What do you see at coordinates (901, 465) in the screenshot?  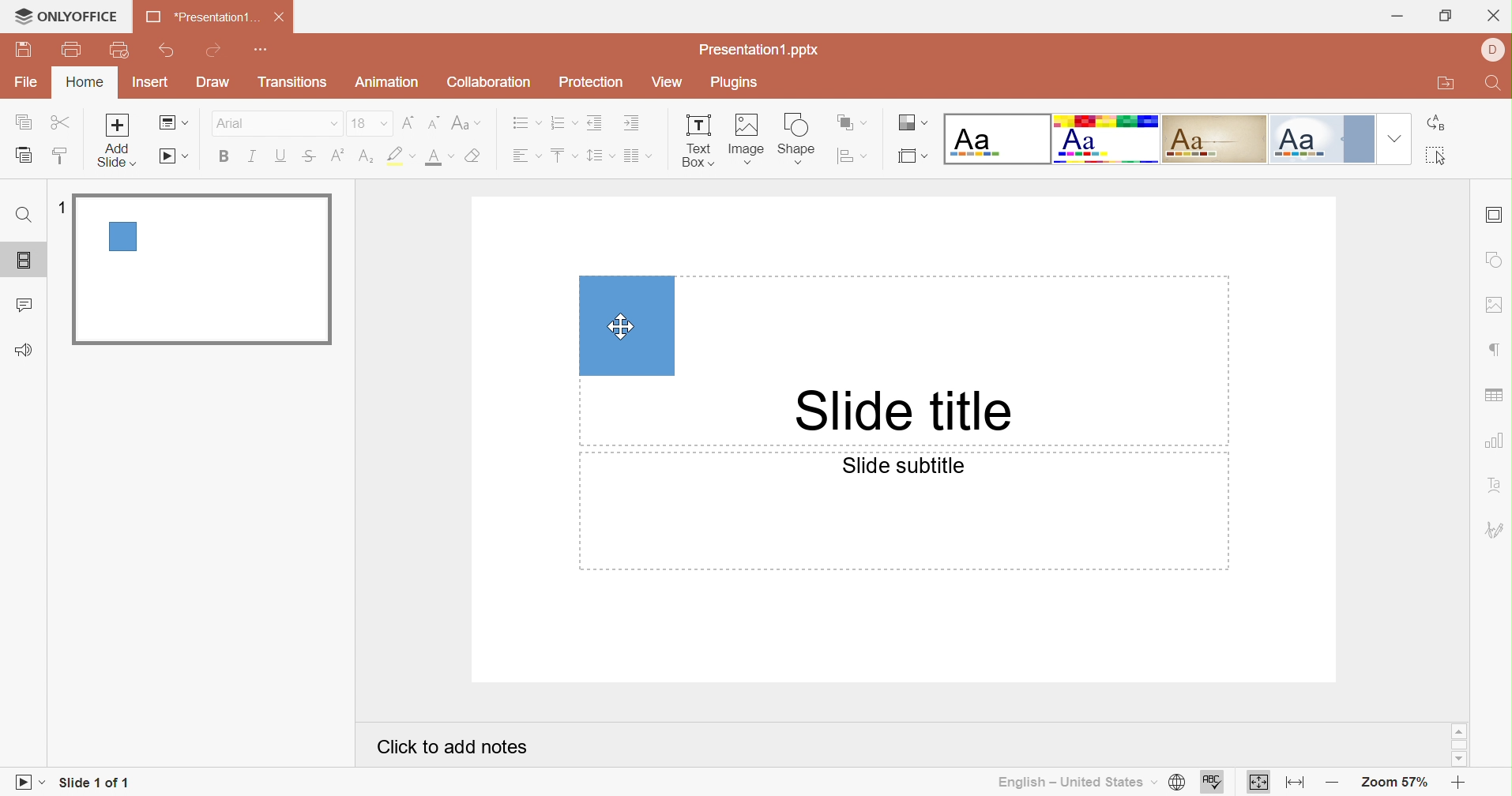 I see `Slide subtitle` at bounding box center [901, 465].